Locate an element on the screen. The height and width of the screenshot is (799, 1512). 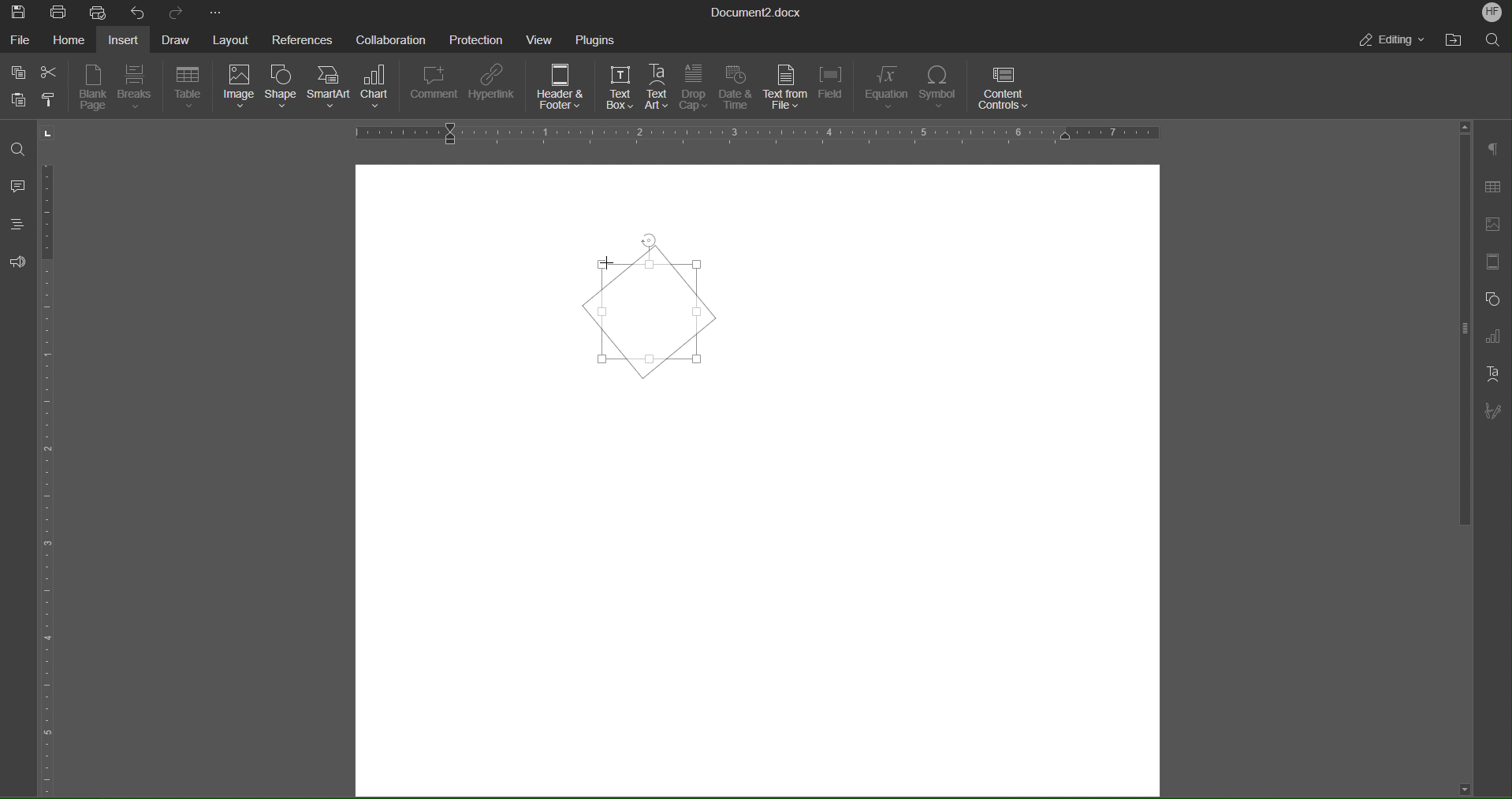
Text Box is located at coordinates (620, 87).